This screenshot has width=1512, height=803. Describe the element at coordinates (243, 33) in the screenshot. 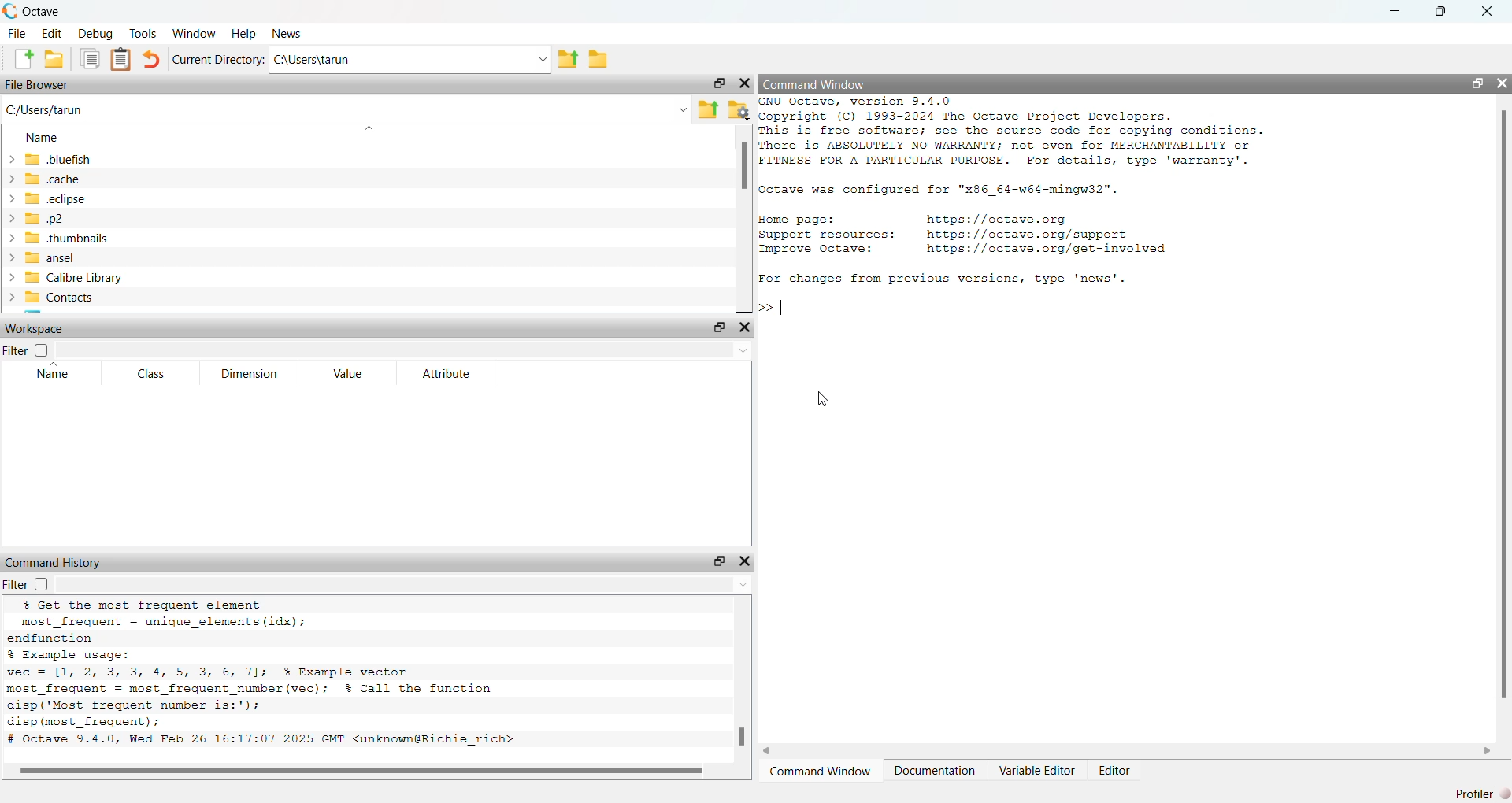

I see `Help` at that location.